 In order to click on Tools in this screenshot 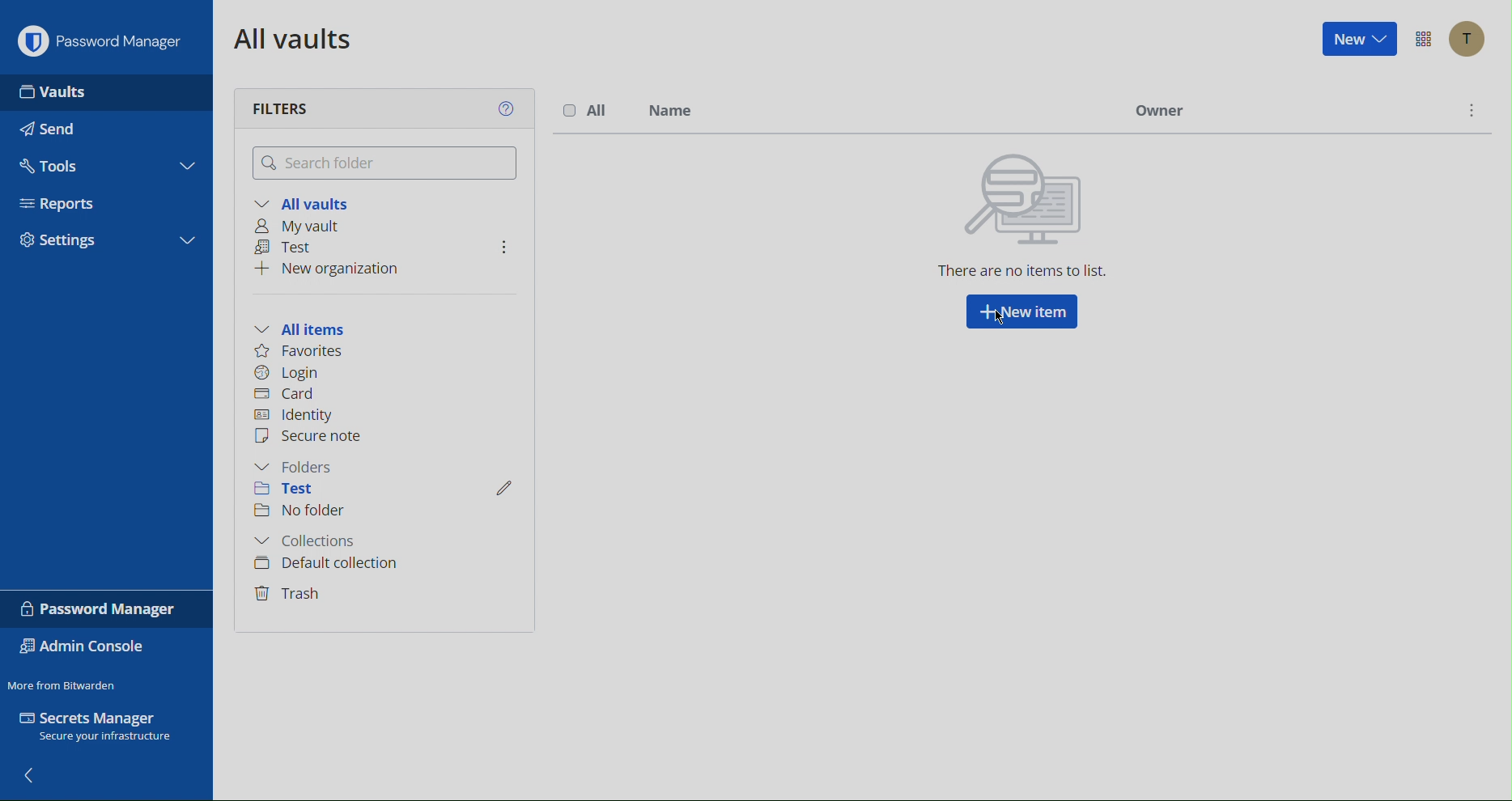, I will do `click(59, 165)`.